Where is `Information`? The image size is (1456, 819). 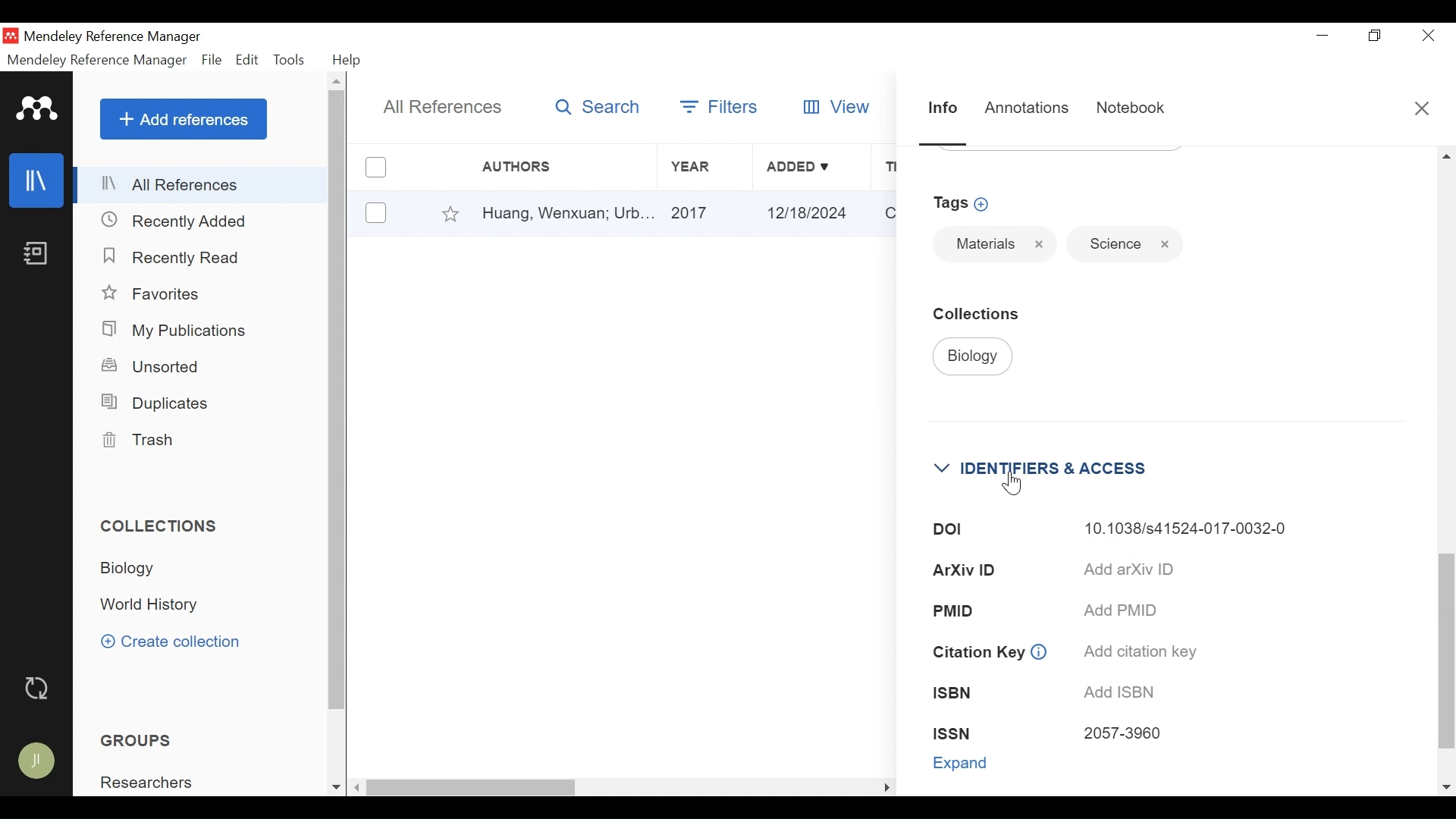
Information is located at coordinates (940, 107).